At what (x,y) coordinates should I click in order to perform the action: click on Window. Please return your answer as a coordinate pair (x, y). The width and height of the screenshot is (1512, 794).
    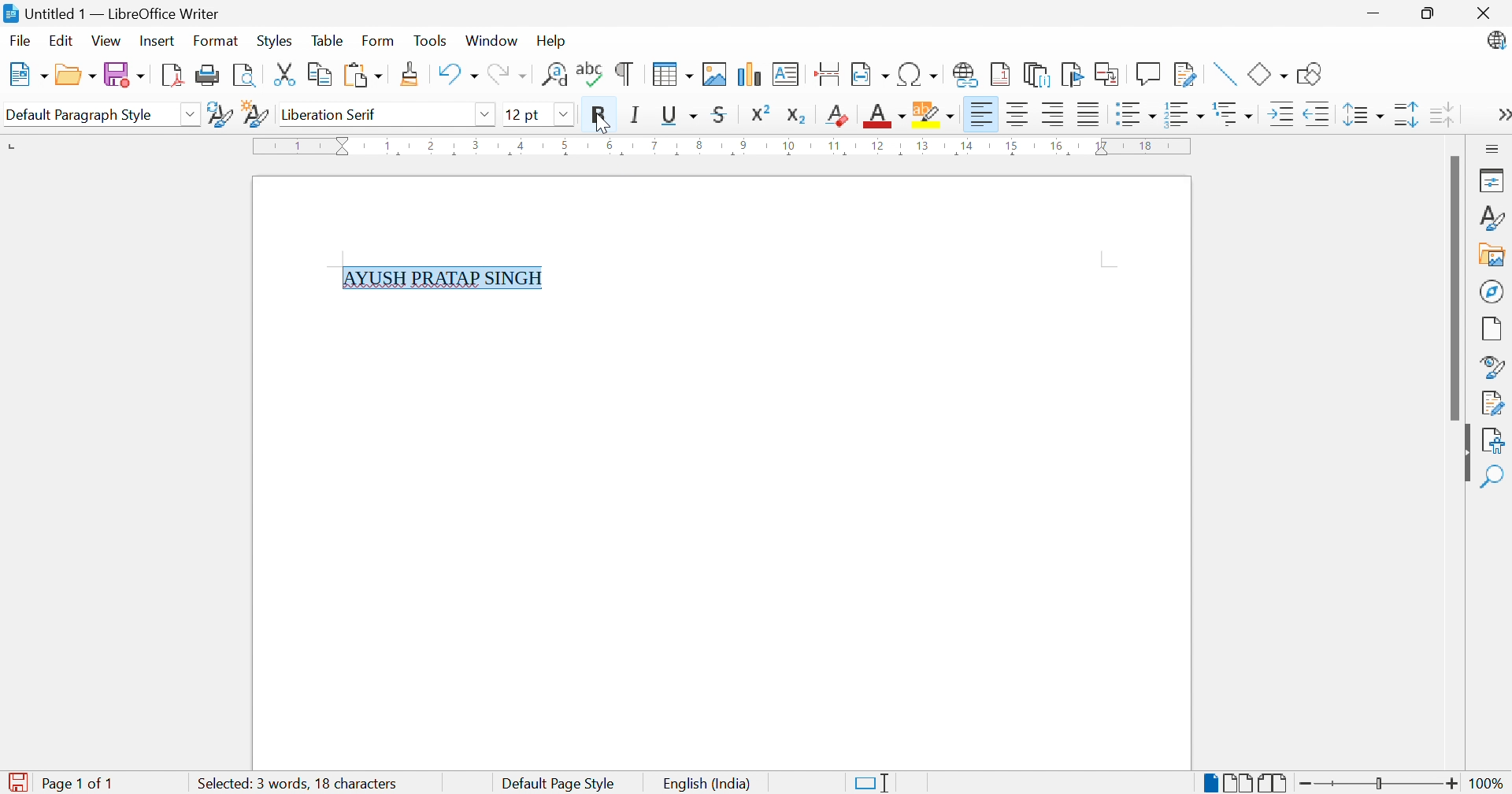
    Looking at the image, I should click on (491, 41).